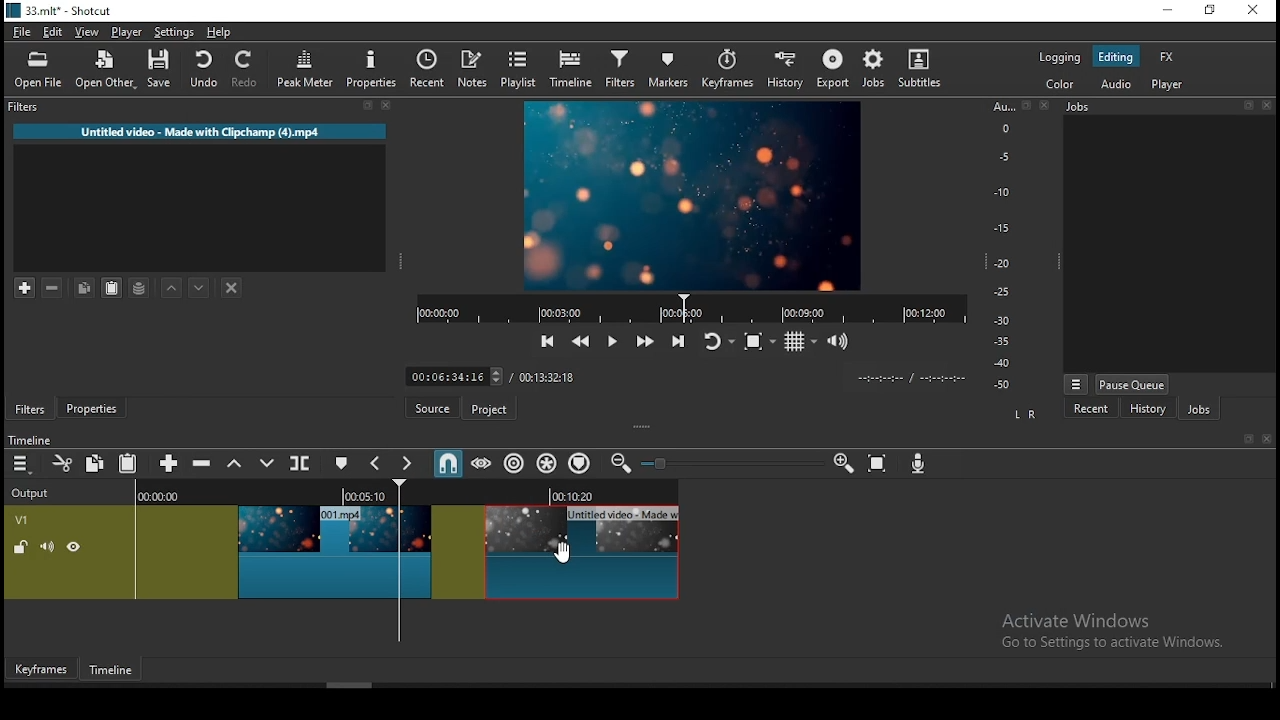 The height and width of the screenshot is (720, 1280). Describe the element at coordinates (307, 68) in the screenshot. I see `peak meter` at that location.